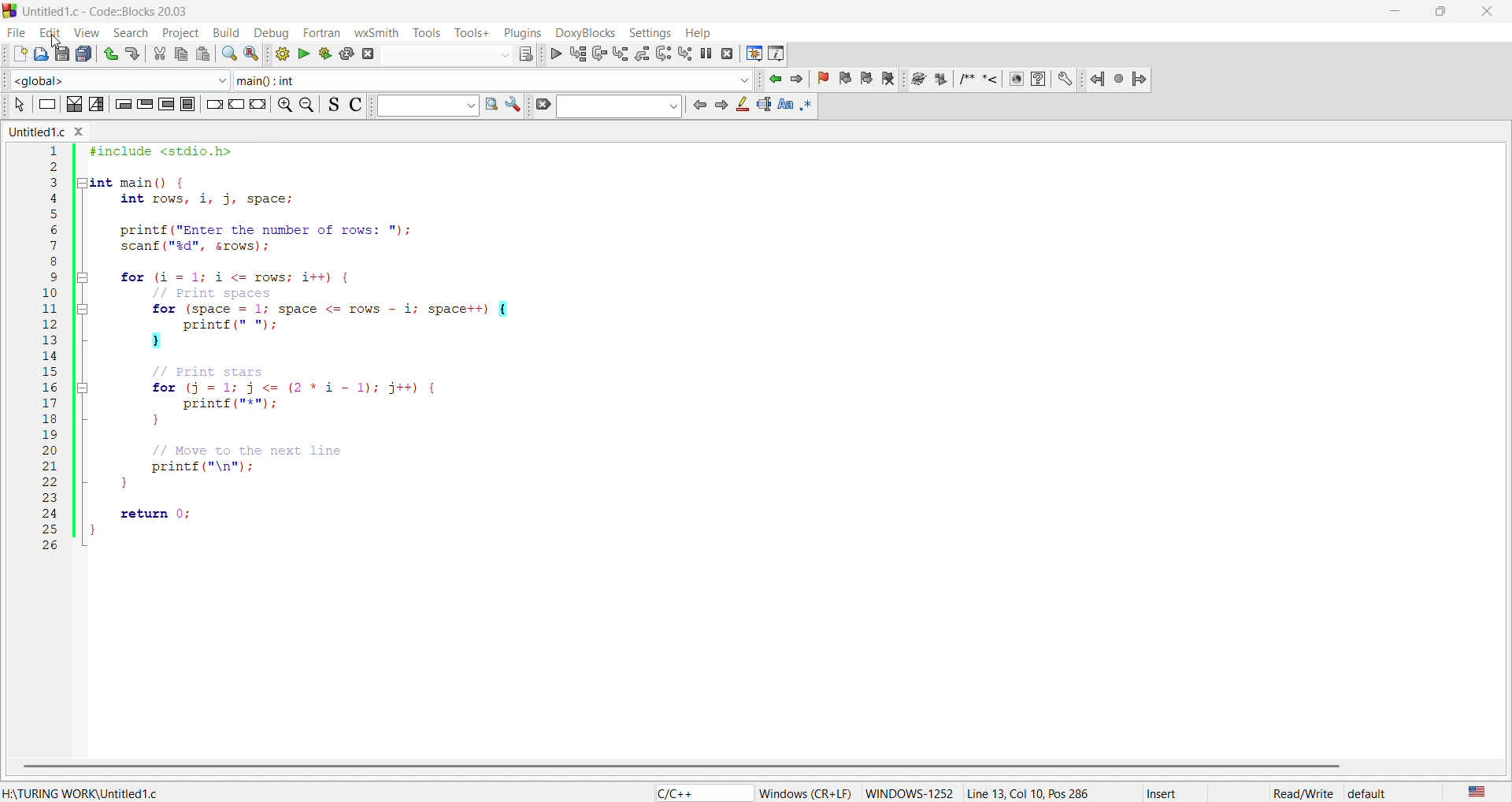 The width and height of the screenshot is (1512, 802). What do you see at coordinates (424, 106) in the screenshot?
I see `input box` at bounding box center [424, 106].